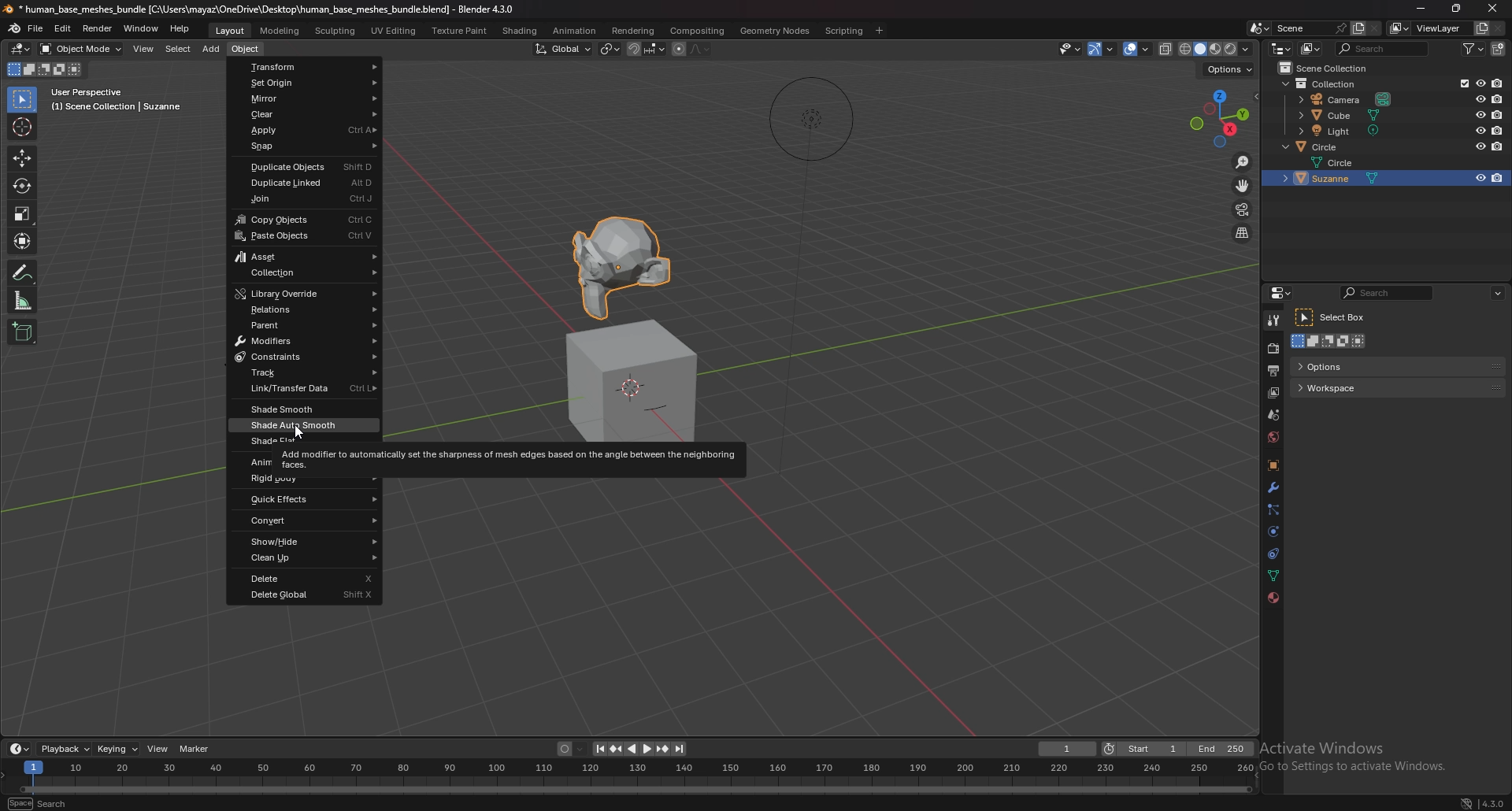 This screenshot has height=811, width=1512. I want to click on remove view layer, so click(1499, 28).